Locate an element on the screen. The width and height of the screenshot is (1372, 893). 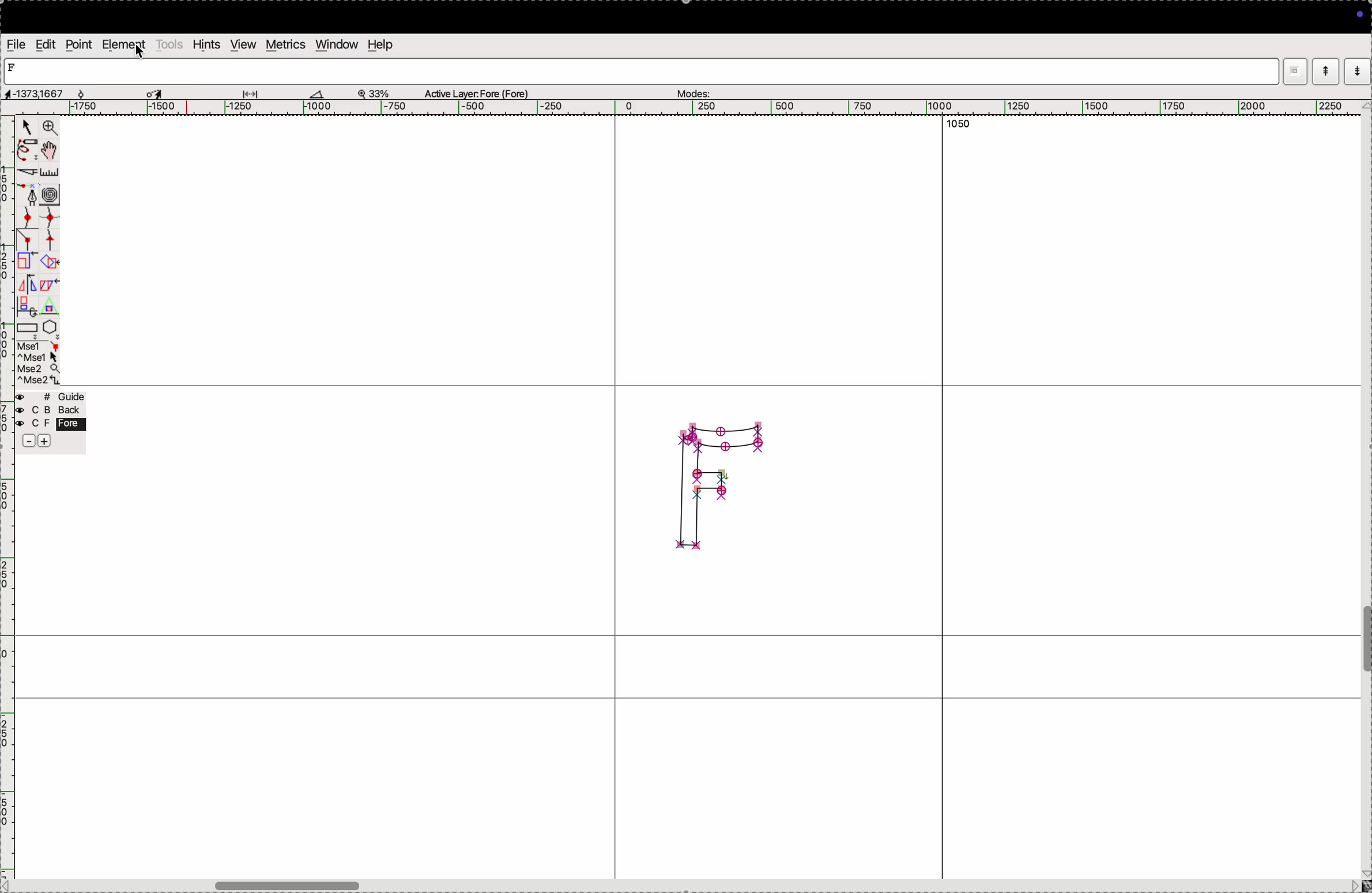
cursor is located at coordinates (140, 52).